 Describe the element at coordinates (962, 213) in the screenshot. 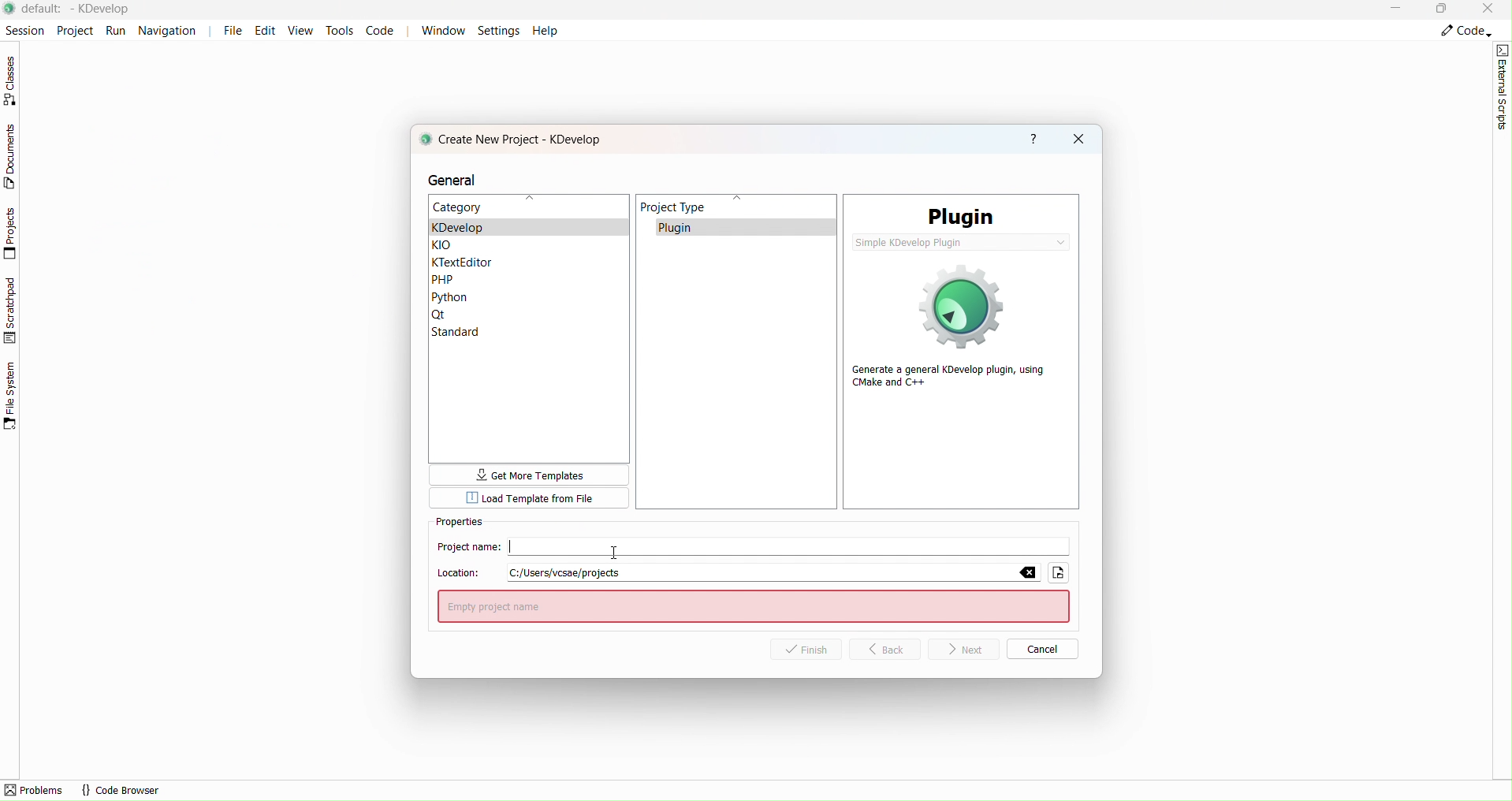

I see `PLugin` at that location.